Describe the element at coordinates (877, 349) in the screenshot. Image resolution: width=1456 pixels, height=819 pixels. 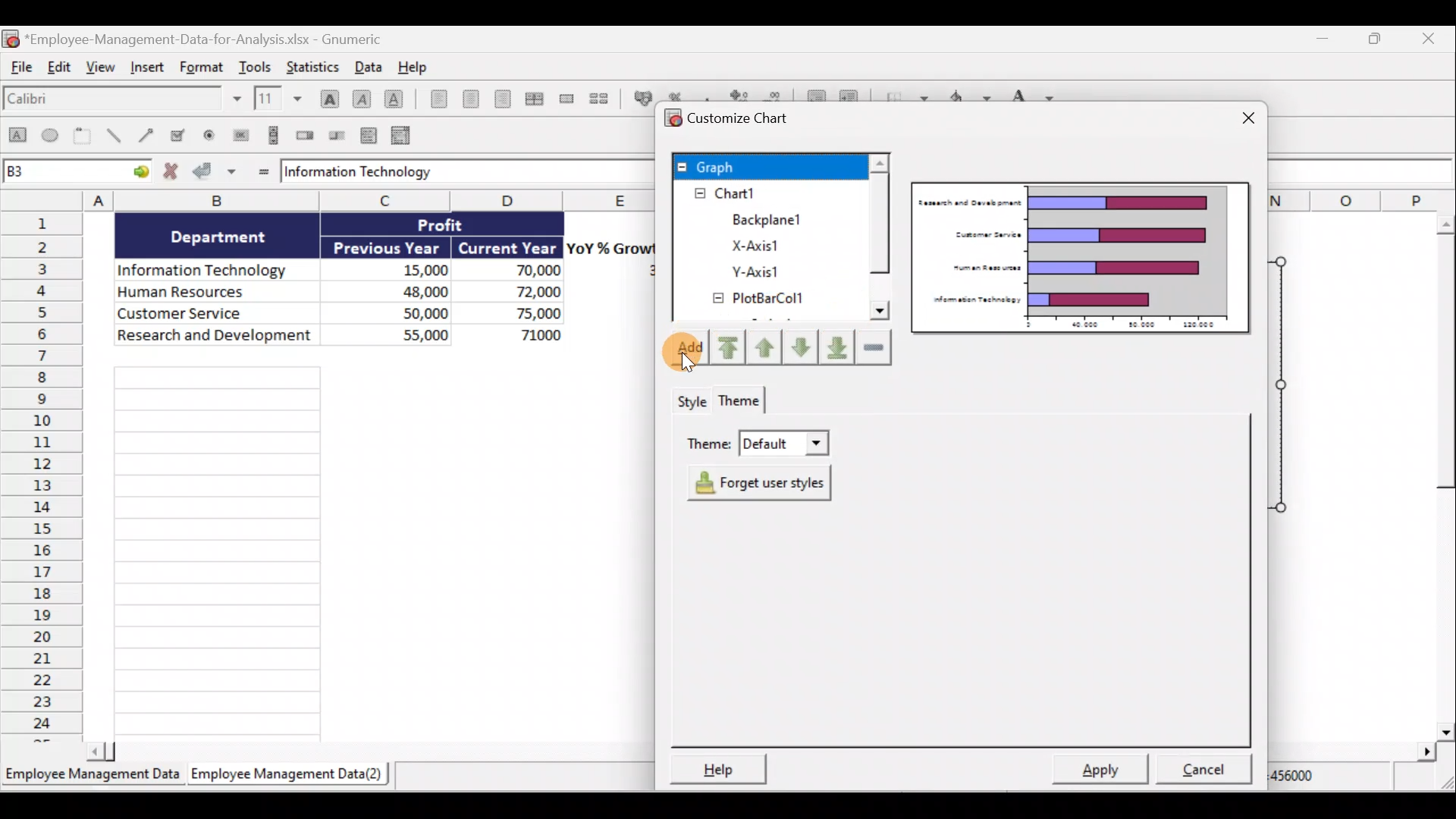
I see `Clear` at that location.